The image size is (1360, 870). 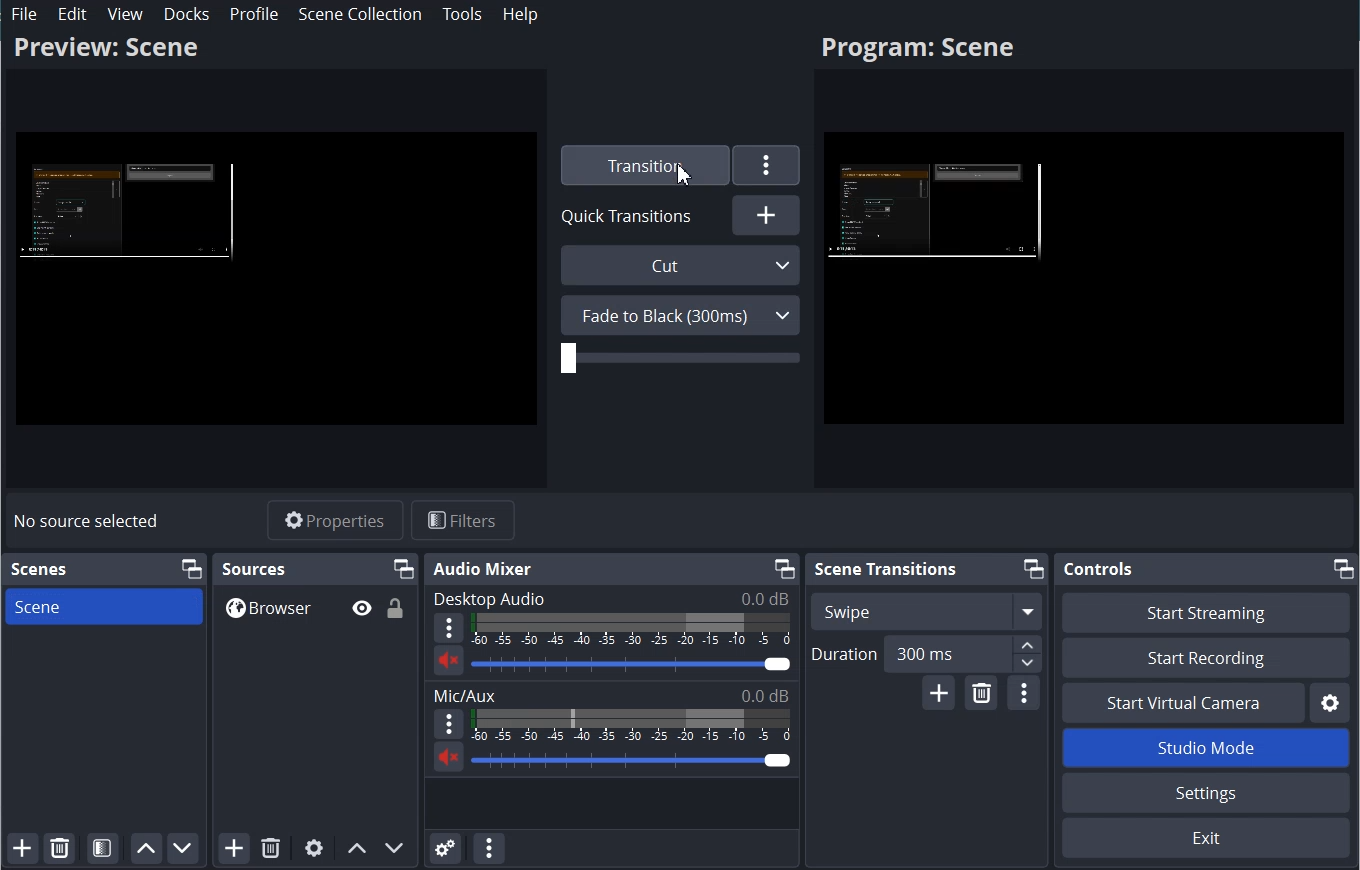 I want to click on Add, so click(x=766, y=214).